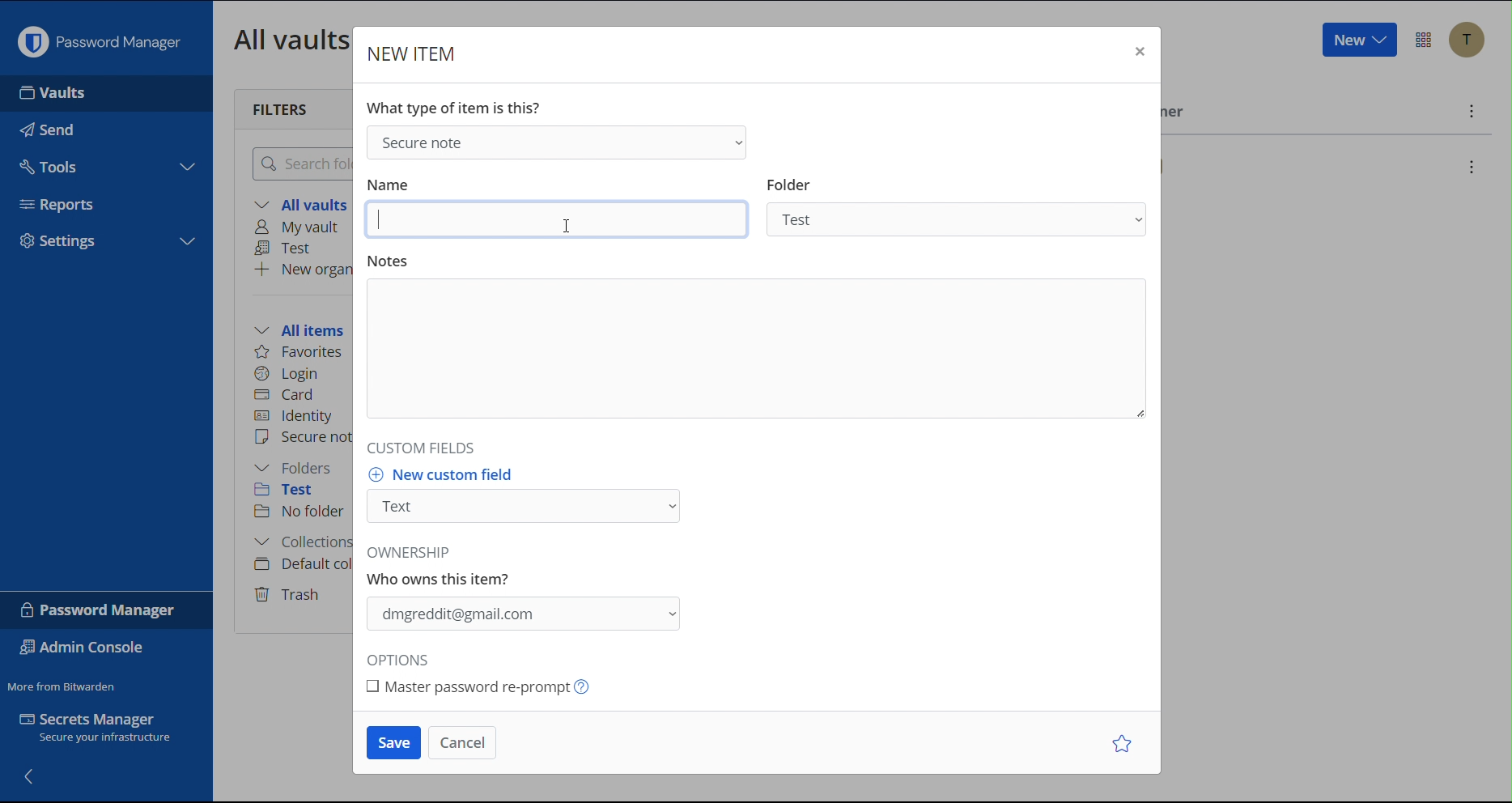  Describe the element at coordinates (304, 328) in the screenshot. I see `All items` at that location.